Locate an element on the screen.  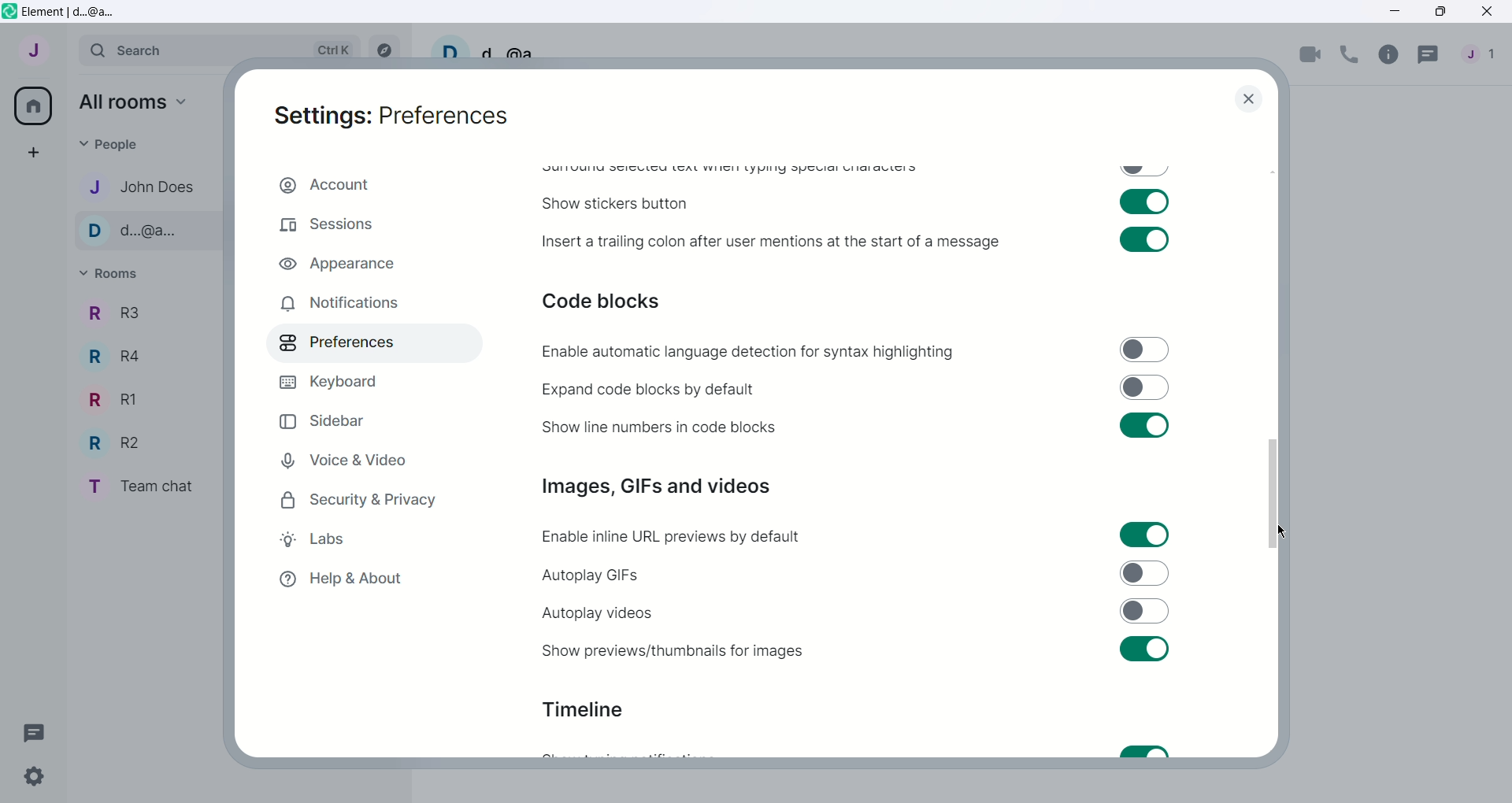
Expand code blocks by default is located at coordinates (650, 390).